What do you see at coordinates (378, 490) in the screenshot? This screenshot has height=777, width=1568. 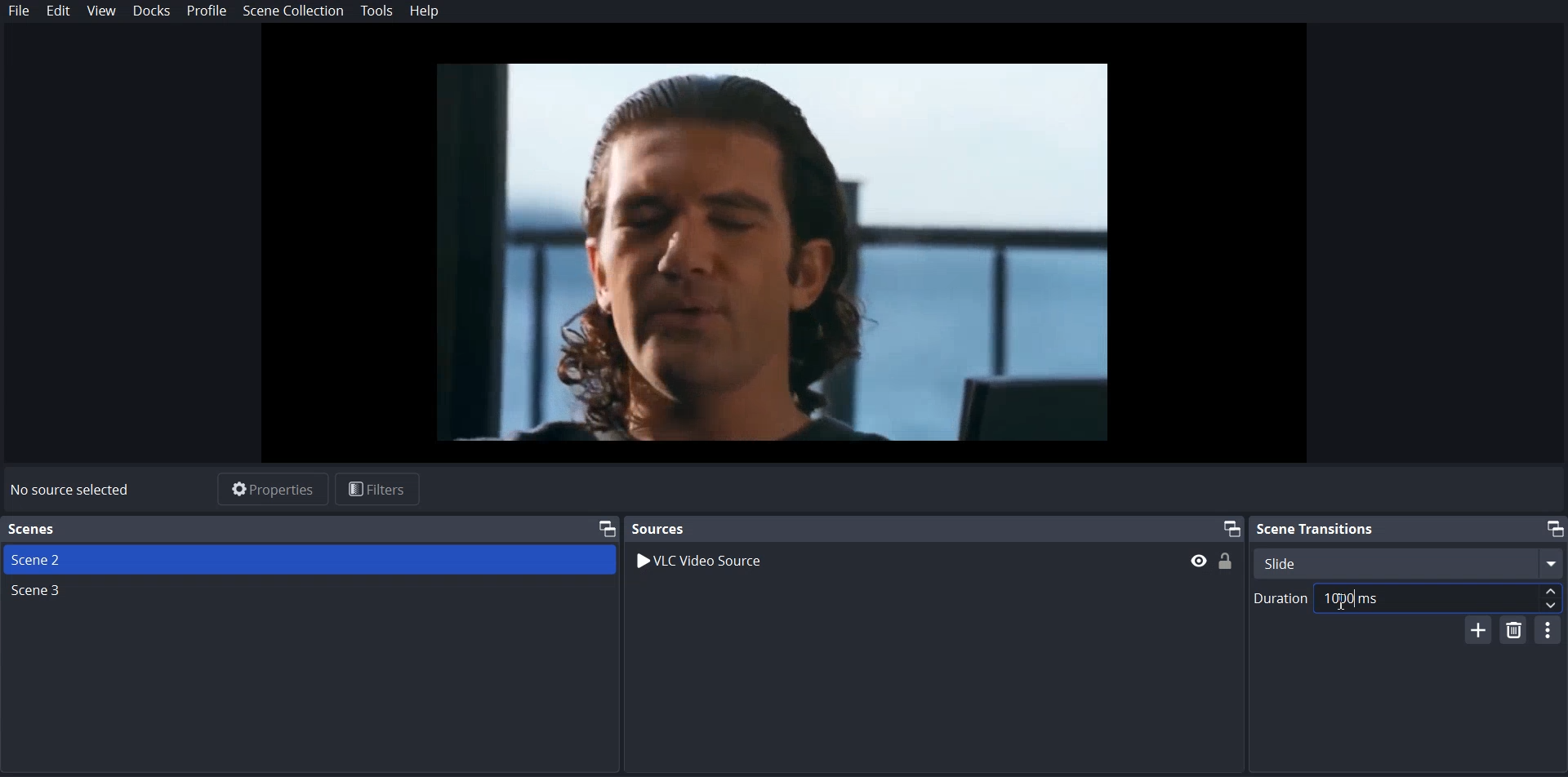 I see `Filters` at bounding box center [378, 490].